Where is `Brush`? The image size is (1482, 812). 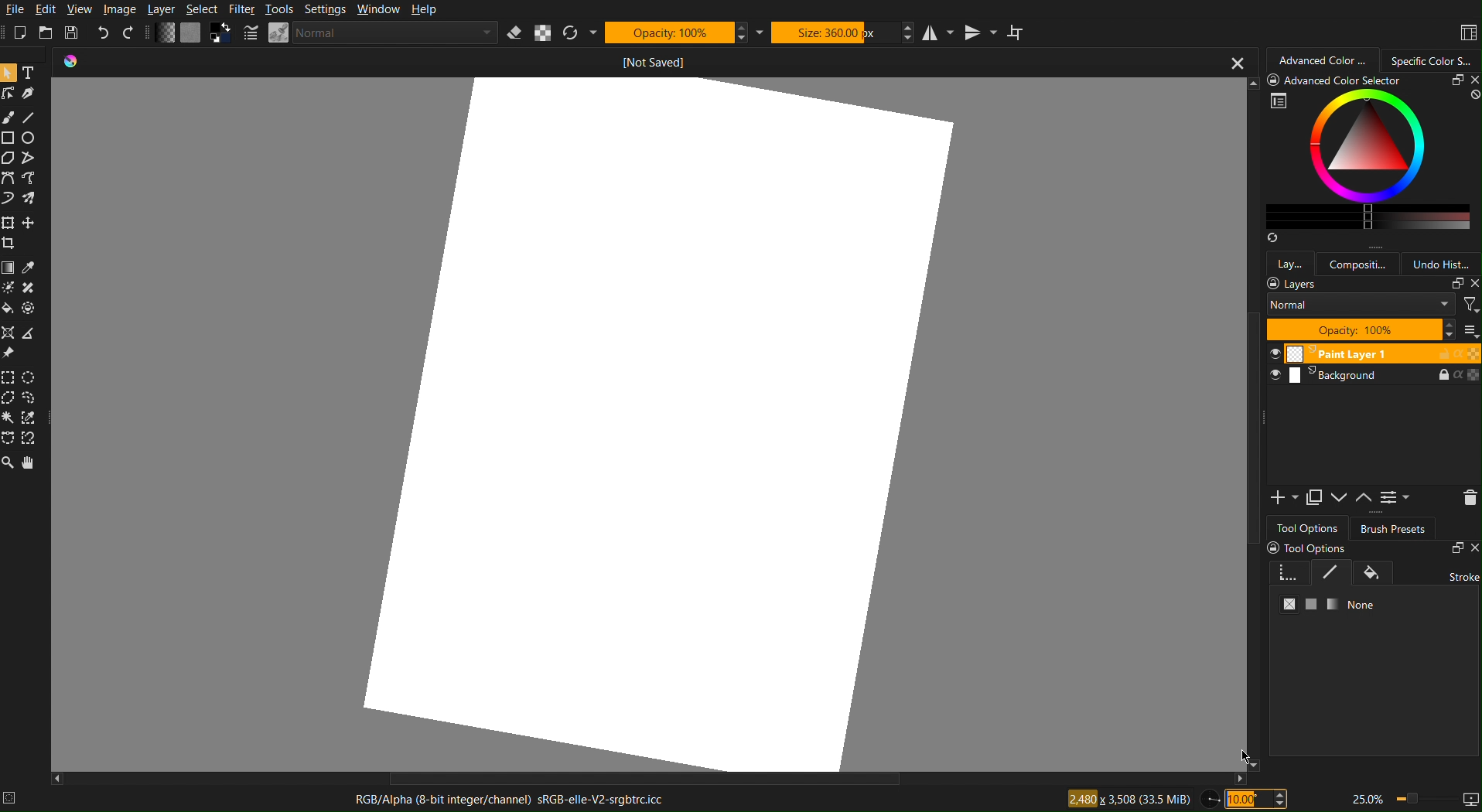
Brush is located at coordinates (9, 115).